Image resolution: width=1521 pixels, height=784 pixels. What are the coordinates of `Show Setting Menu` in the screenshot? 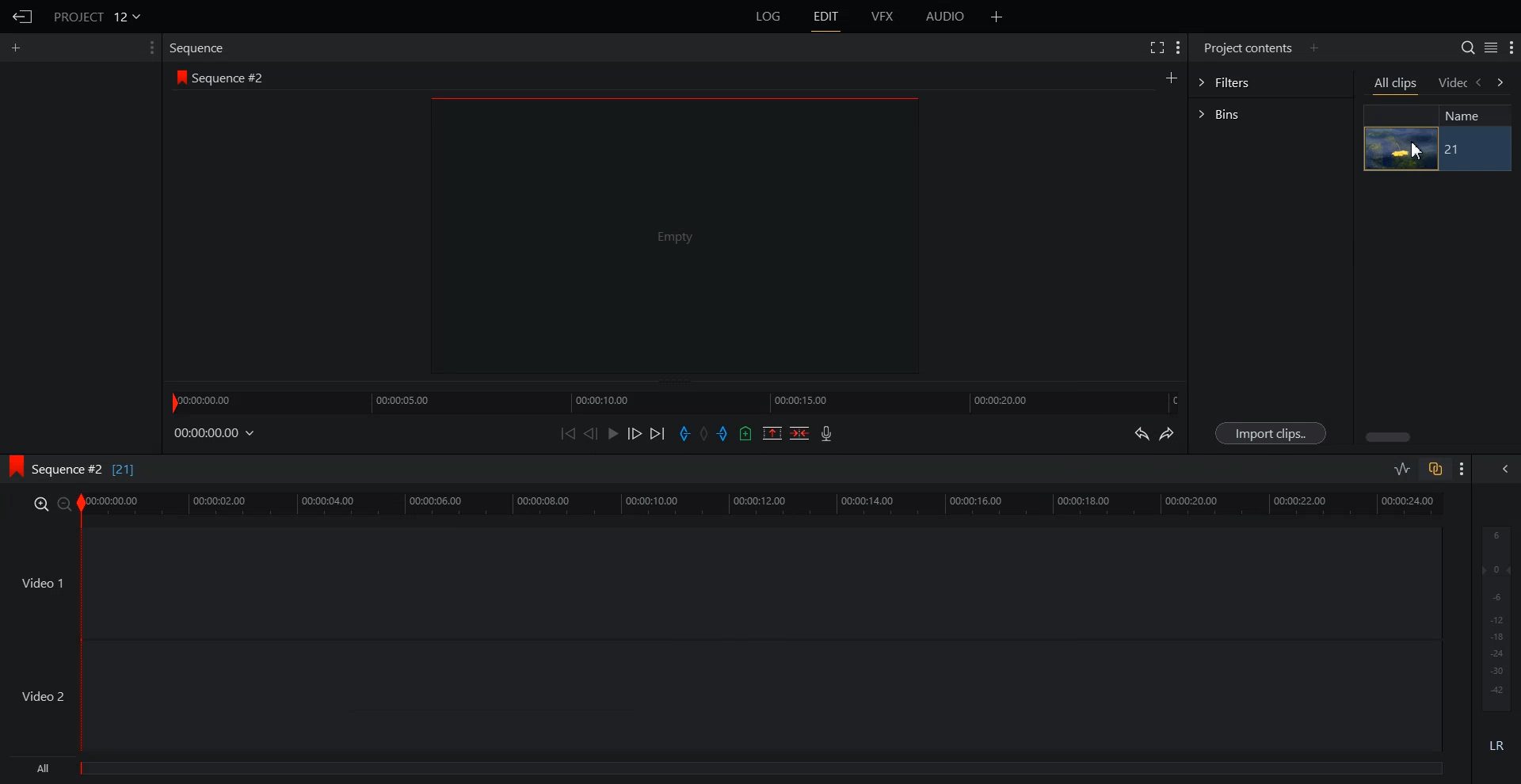 It's located at (1511, 48).